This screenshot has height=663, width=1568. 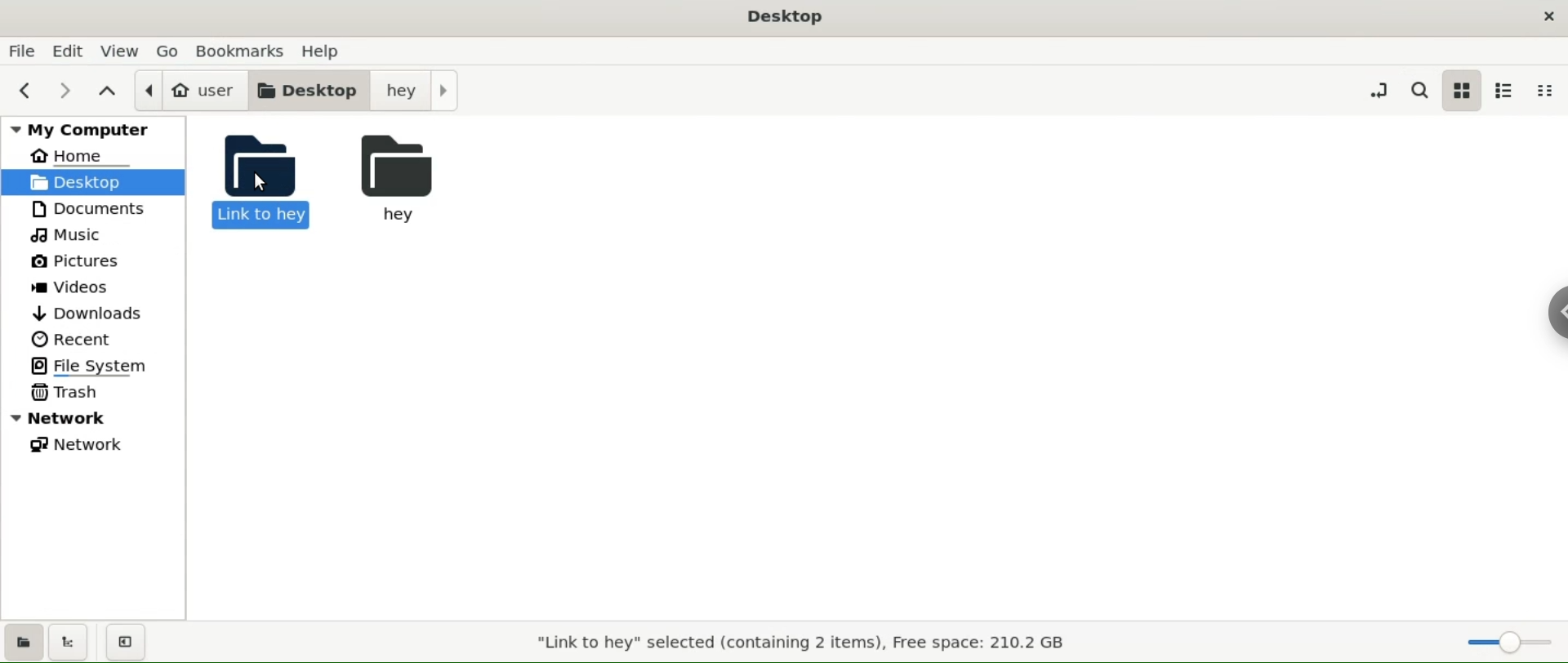 What do you see at coordinates (71, 288) in the screenshot?
I see `videos` at bounding box center [71, 288].